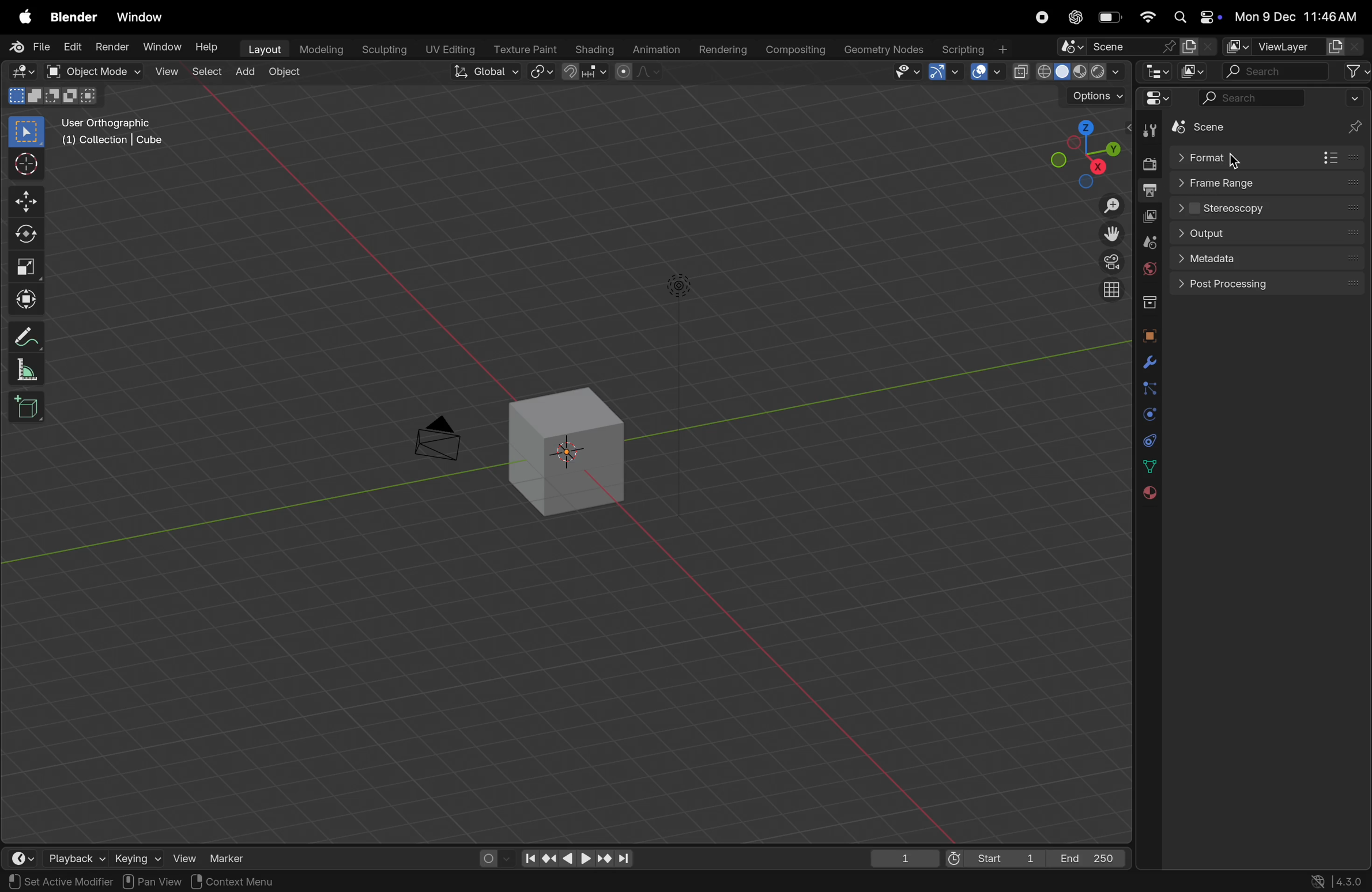 The image size is (1372, 892). What do you see at coordinates (636, 73) in the screenshot?
I see `proportional editing objects` at bounding box center [636, 73].